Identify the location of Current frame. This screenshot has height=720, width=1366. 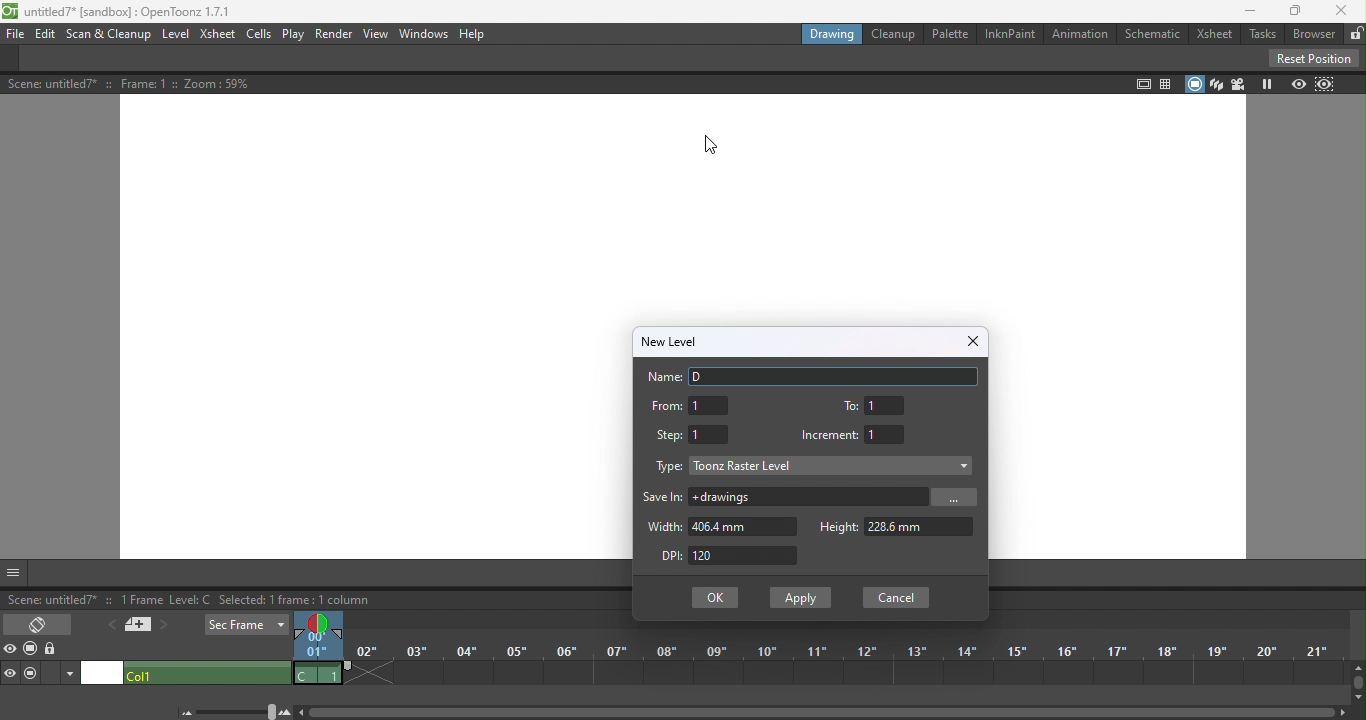
(313, 647).